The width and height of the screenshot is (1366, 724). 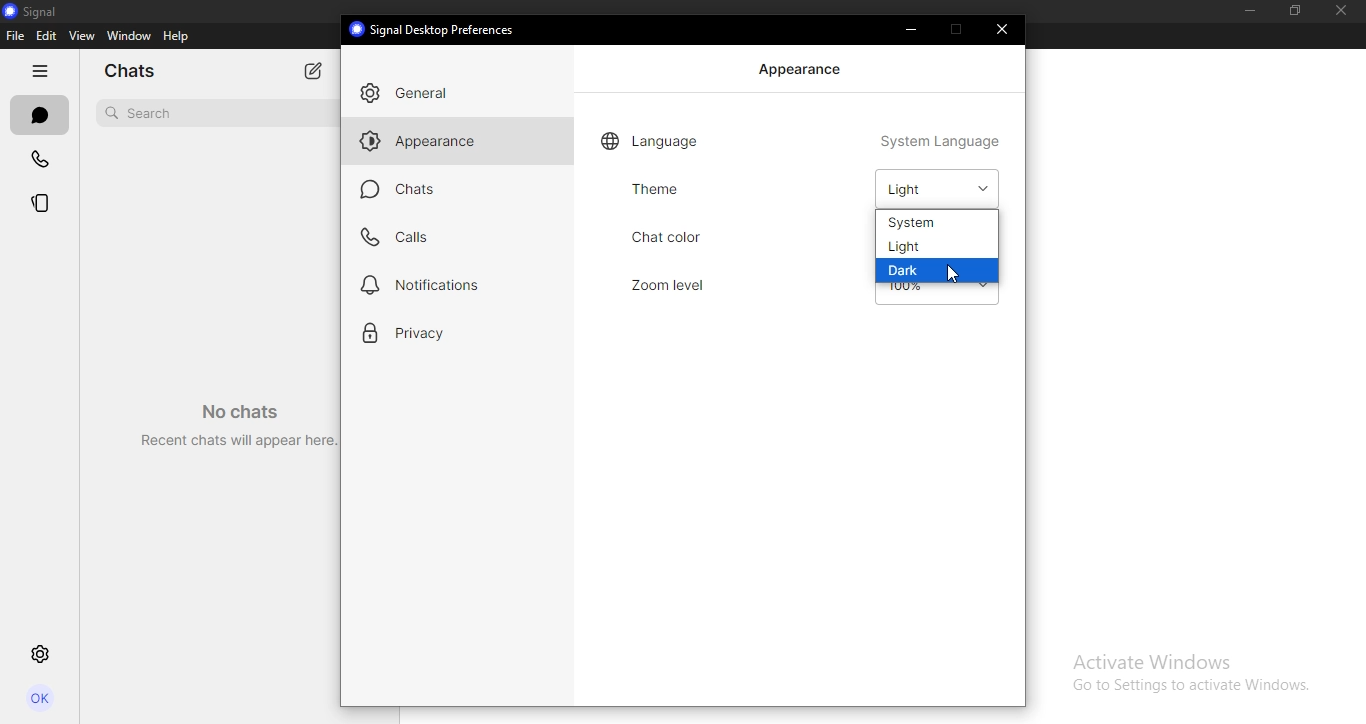 What do you see at coordinates (802, 140) in the screenshot?
I see `language system language` at bounding box center [802, 140].